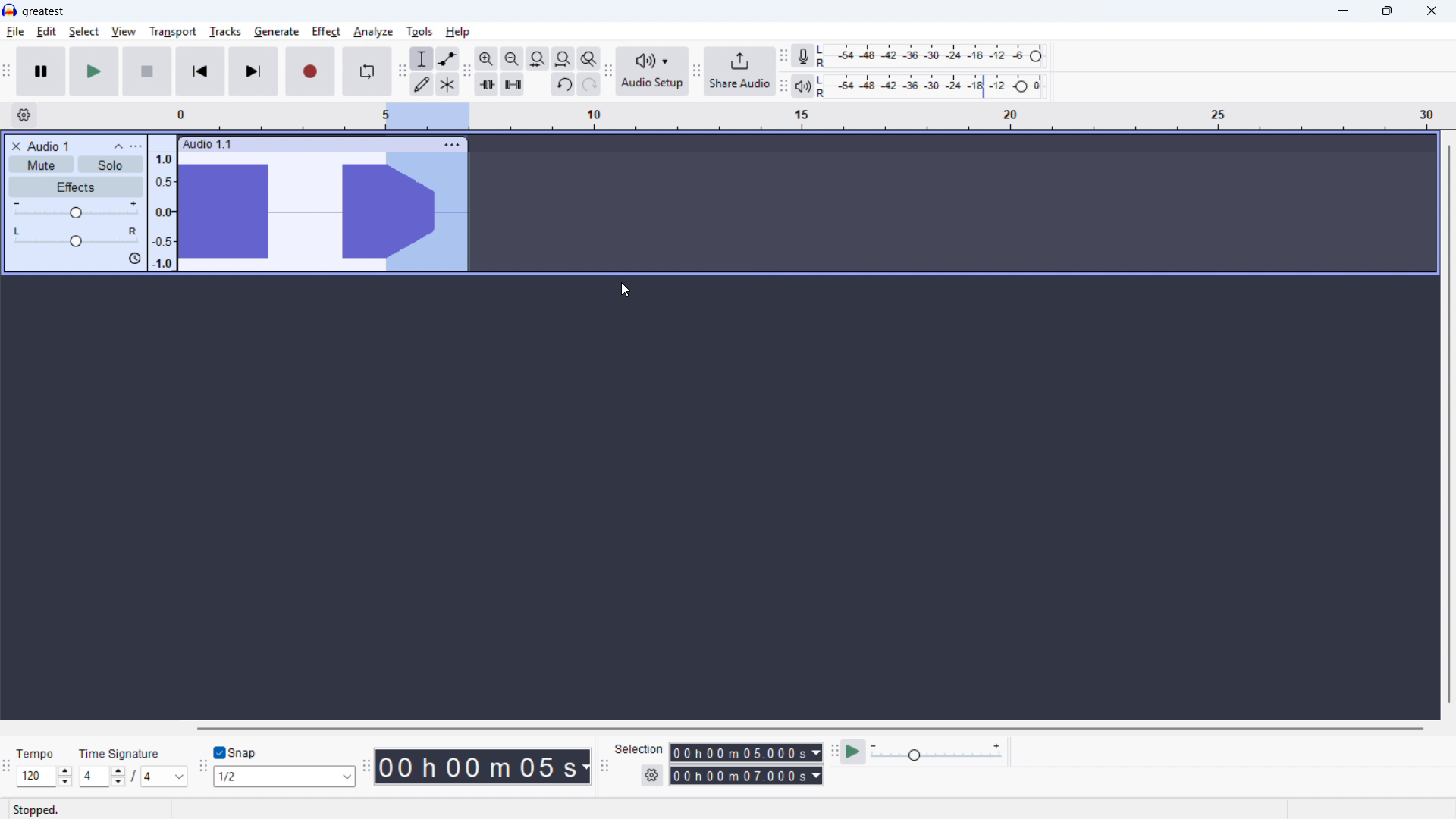 The image size is (1456, 819). I want to click on Audio setup , so click(653, 72).